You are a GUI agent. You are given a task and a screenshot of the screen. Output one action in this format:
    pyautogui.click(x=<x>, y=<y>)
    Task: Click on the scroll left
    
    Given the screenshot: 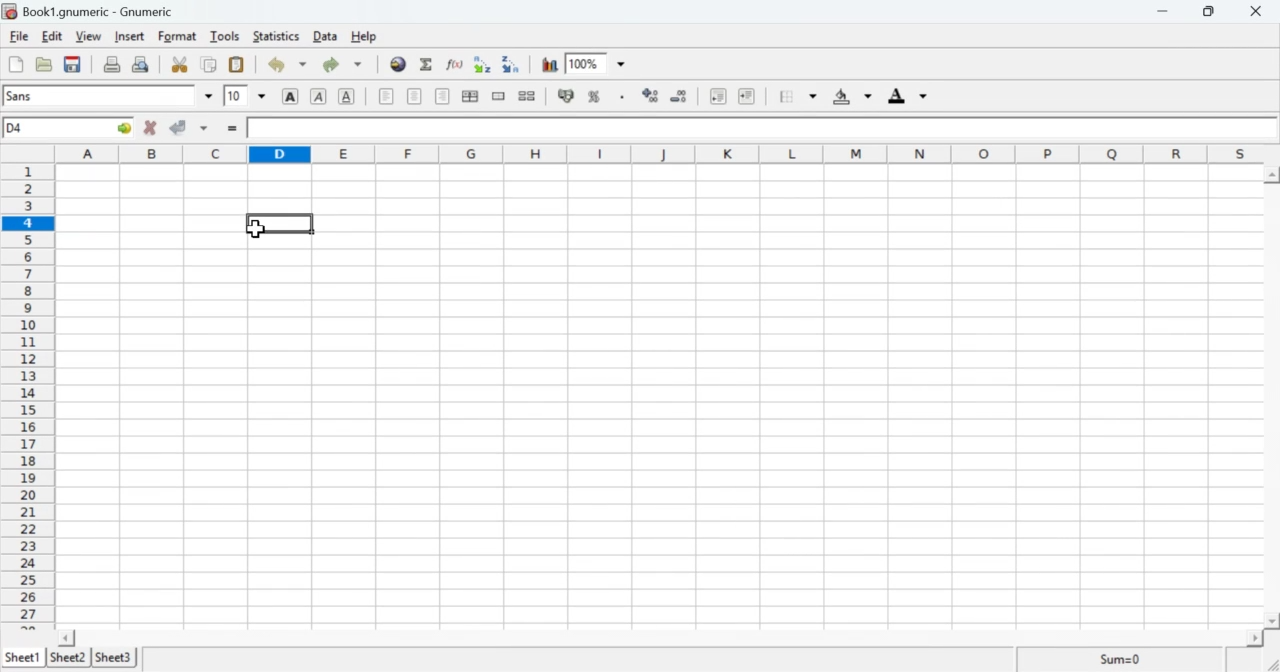 What is the action you would take?
    pyautogui.click(x=68, y=637)
    